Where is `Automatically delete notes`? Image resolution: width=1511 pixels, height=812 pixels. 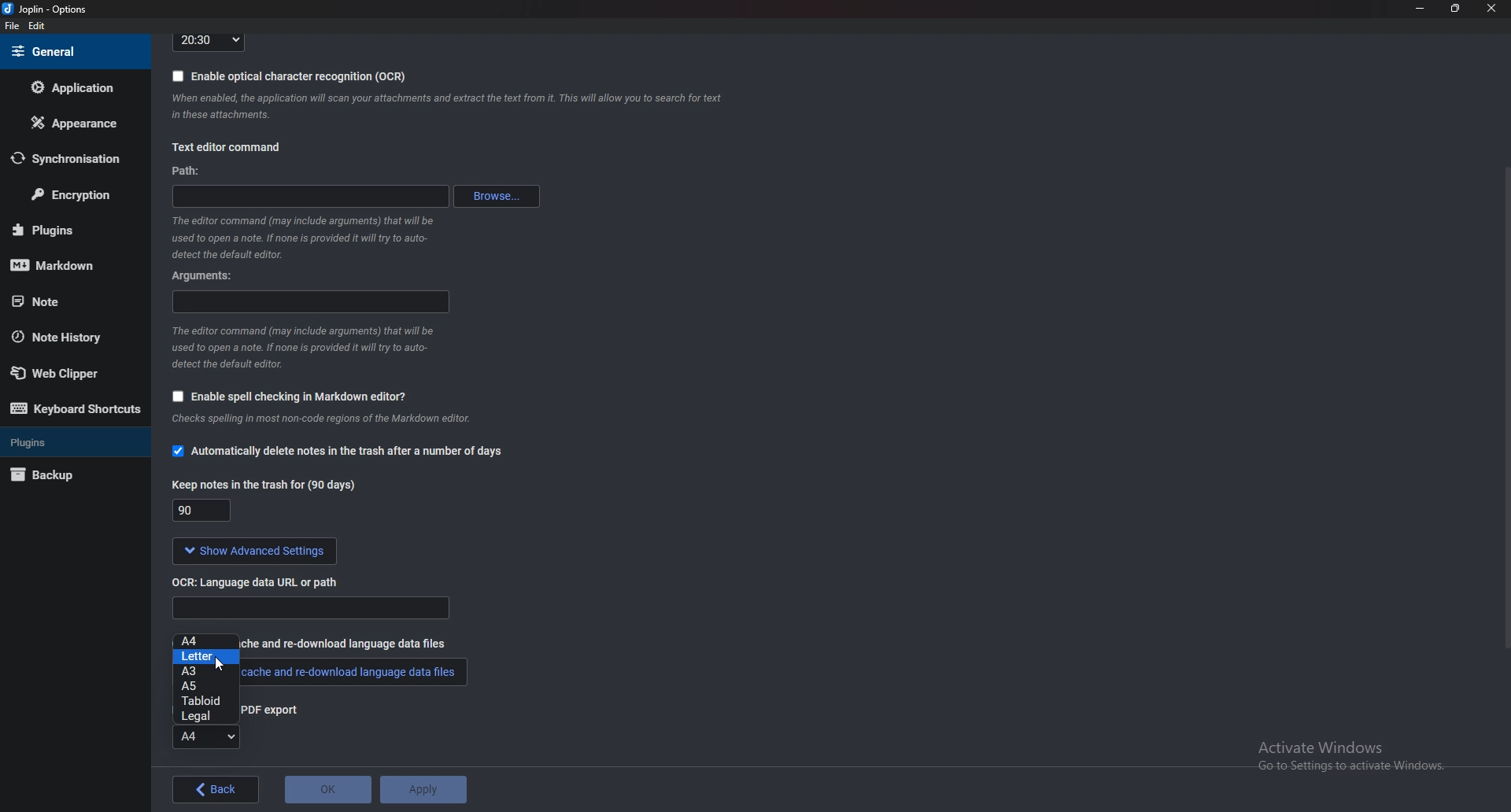
Automatically delete notes is located at coordinates (337, 453).